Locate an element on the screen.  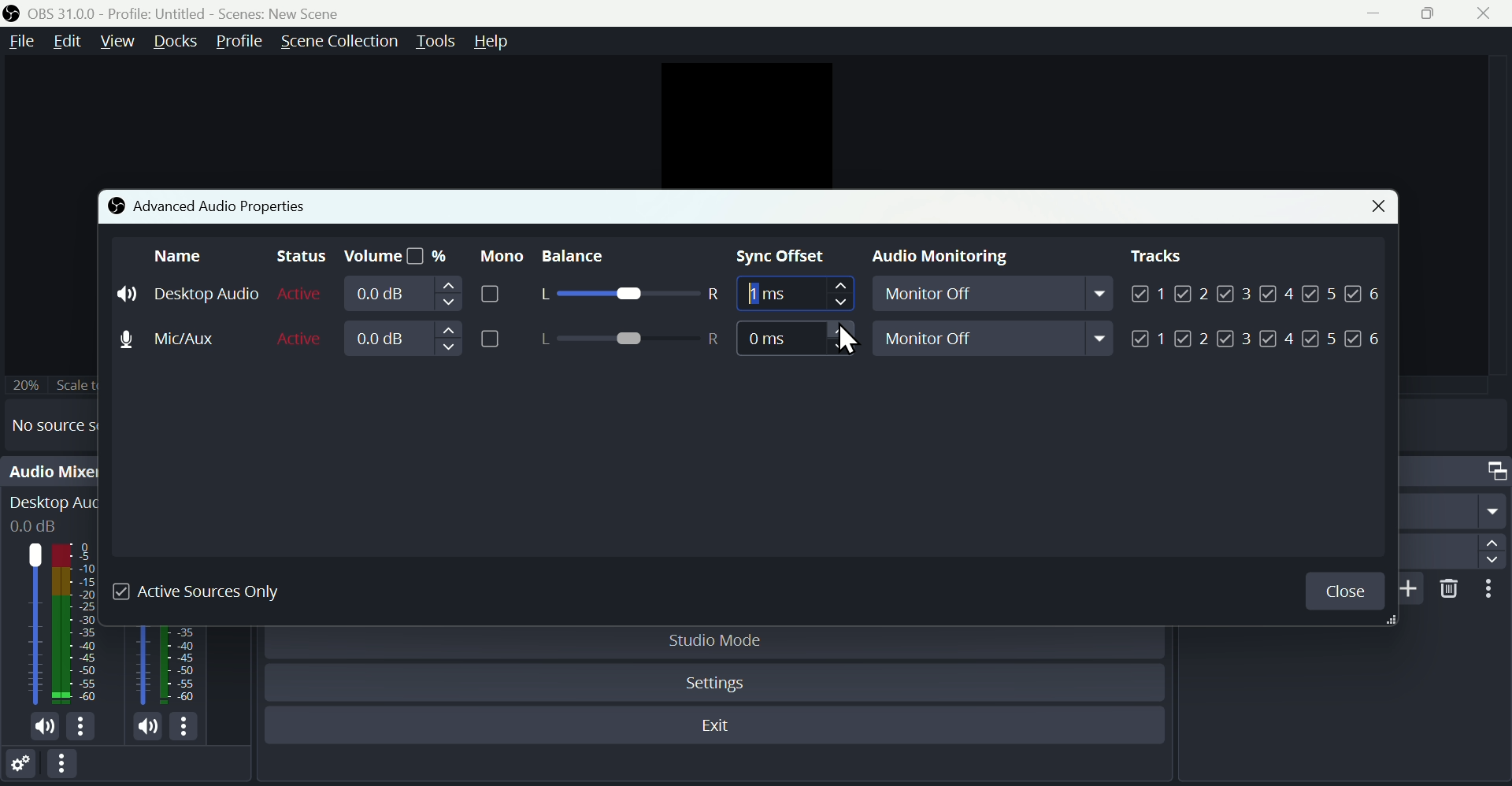
Scene collection is located at coordinates (338, 41).